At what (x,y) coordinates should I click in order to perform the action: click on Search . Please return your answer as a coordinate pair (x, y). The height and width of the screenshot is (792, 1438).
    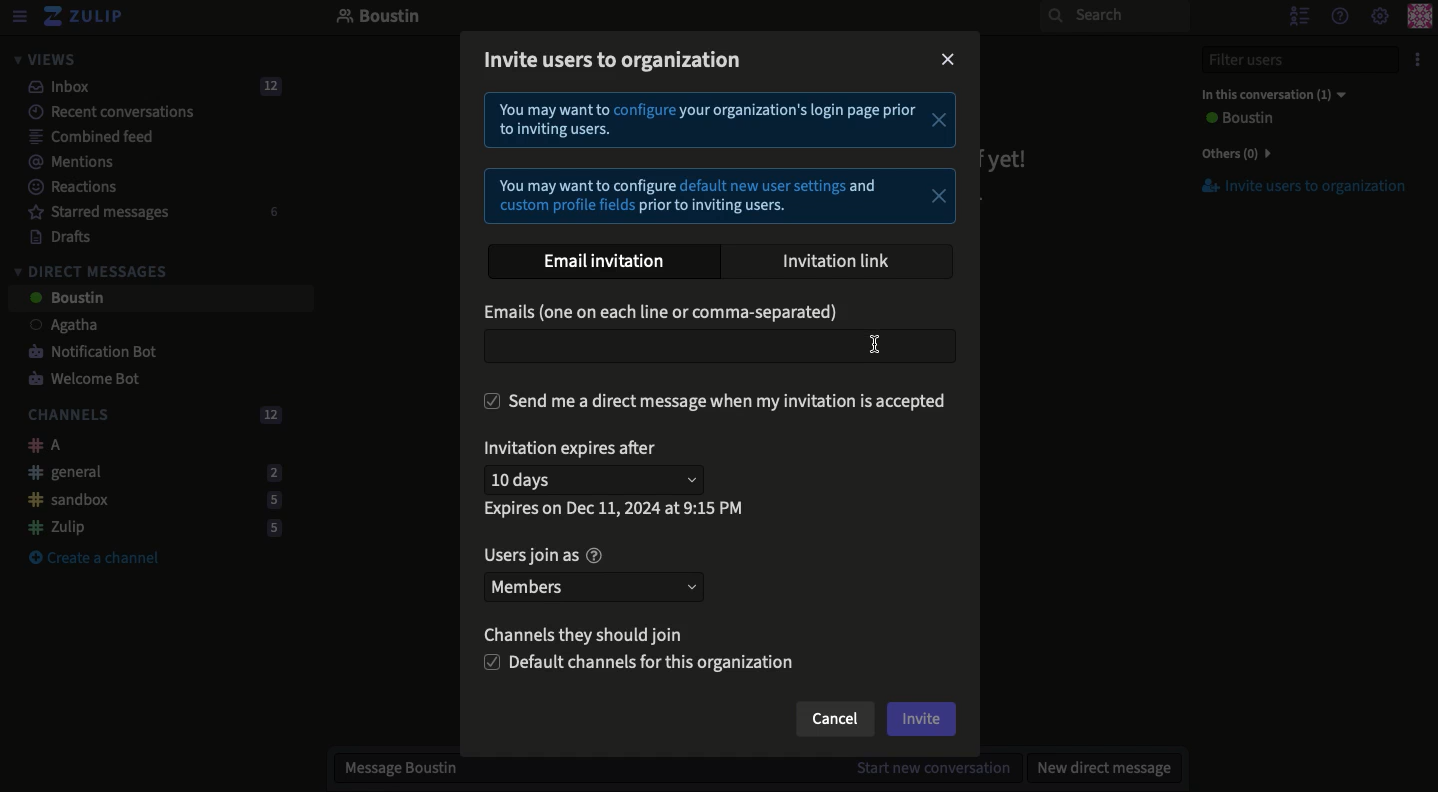
    Looking at the image, I should click on (1114, 16).